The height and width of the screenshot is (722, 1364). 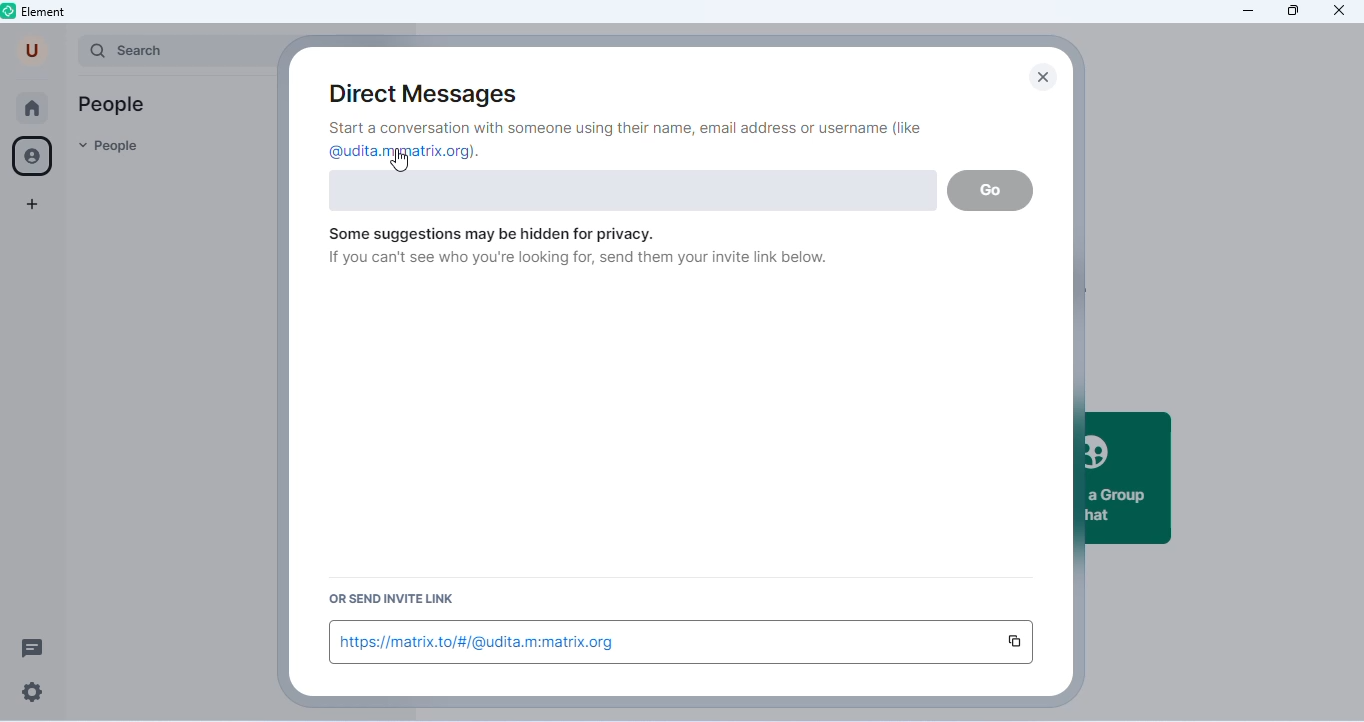 I want to click on account, so click(x=33, y=50).